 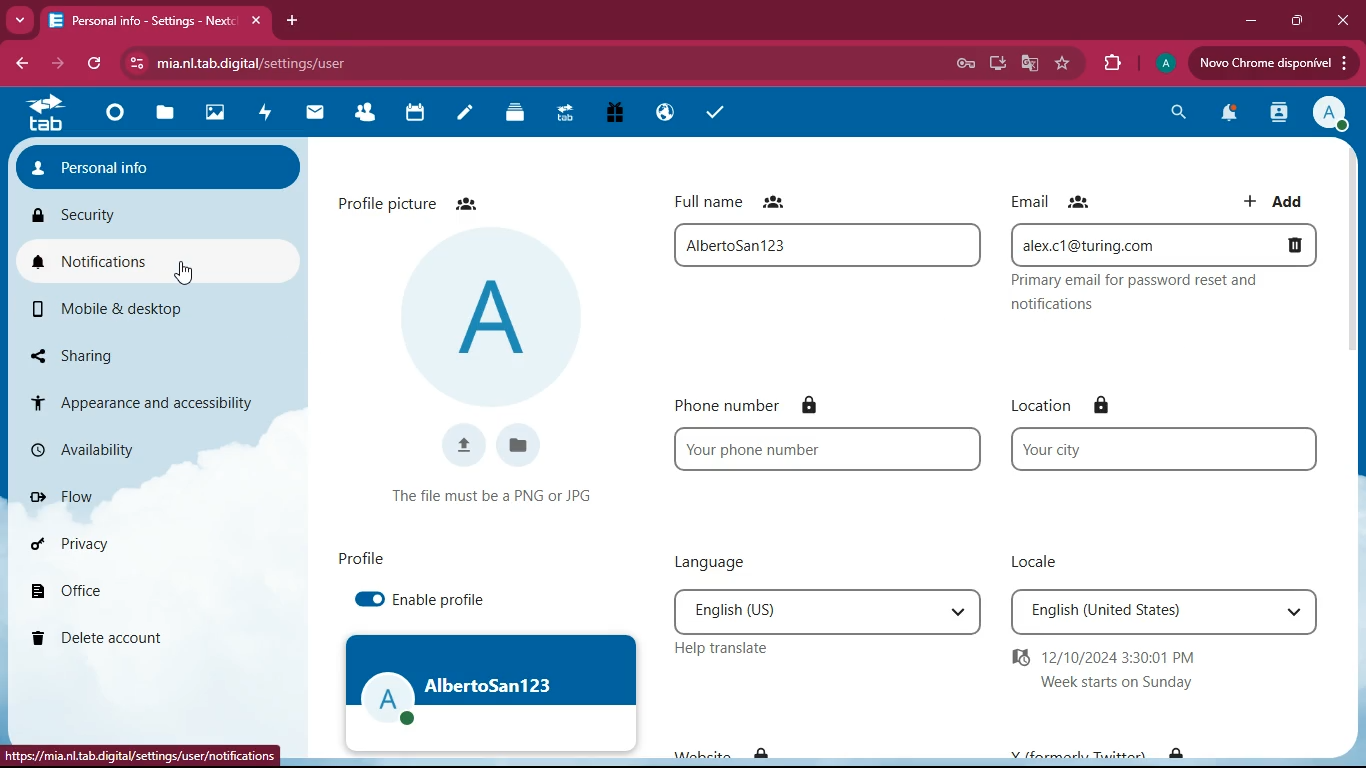 What do you see at coordinates (157, 168) in the screenshot?
I see `personal info` at bounding box center [157, 168].